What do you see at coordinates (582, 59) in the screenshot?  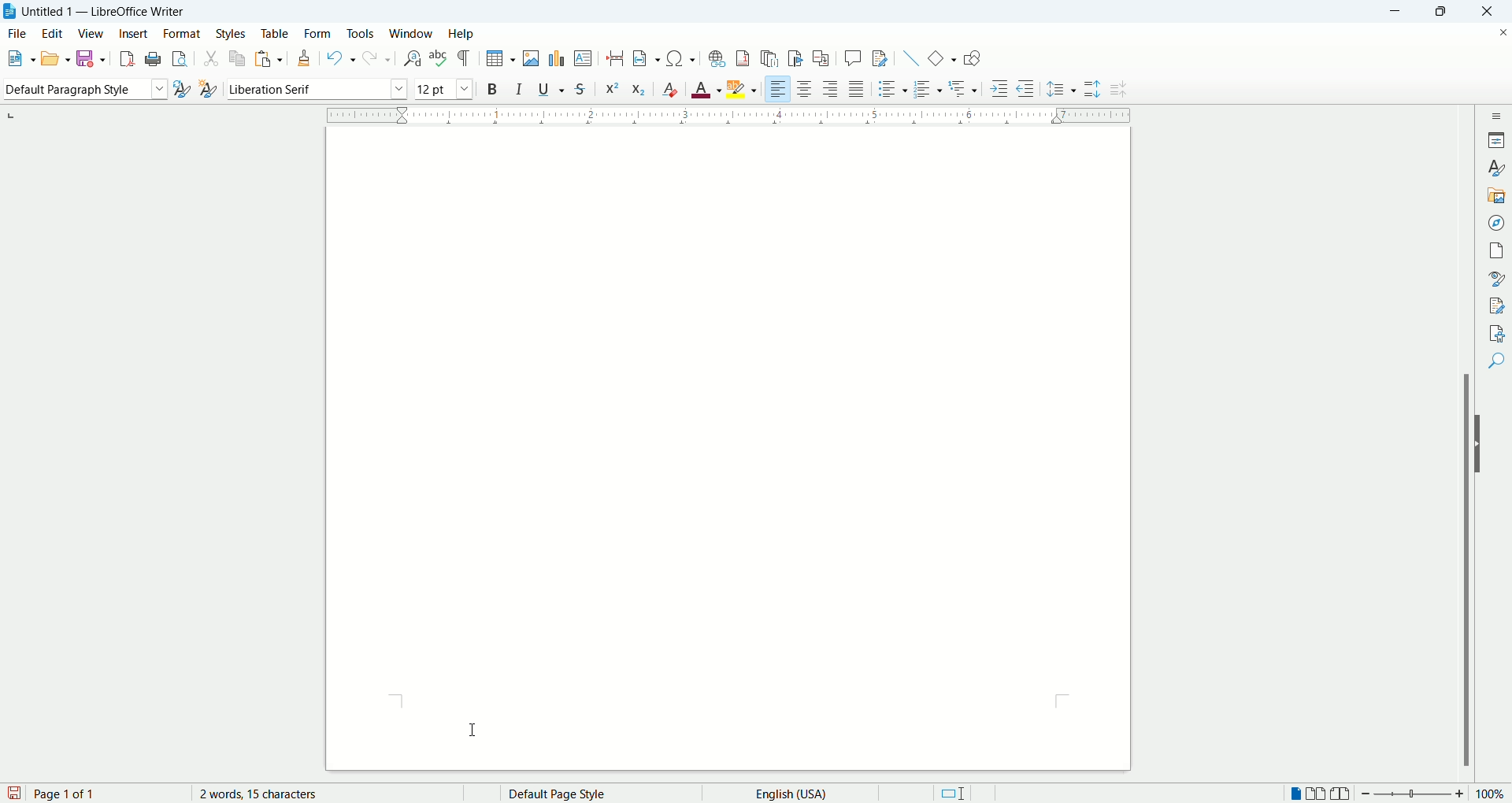 I see `insert text` at bounding box center [582, 59].